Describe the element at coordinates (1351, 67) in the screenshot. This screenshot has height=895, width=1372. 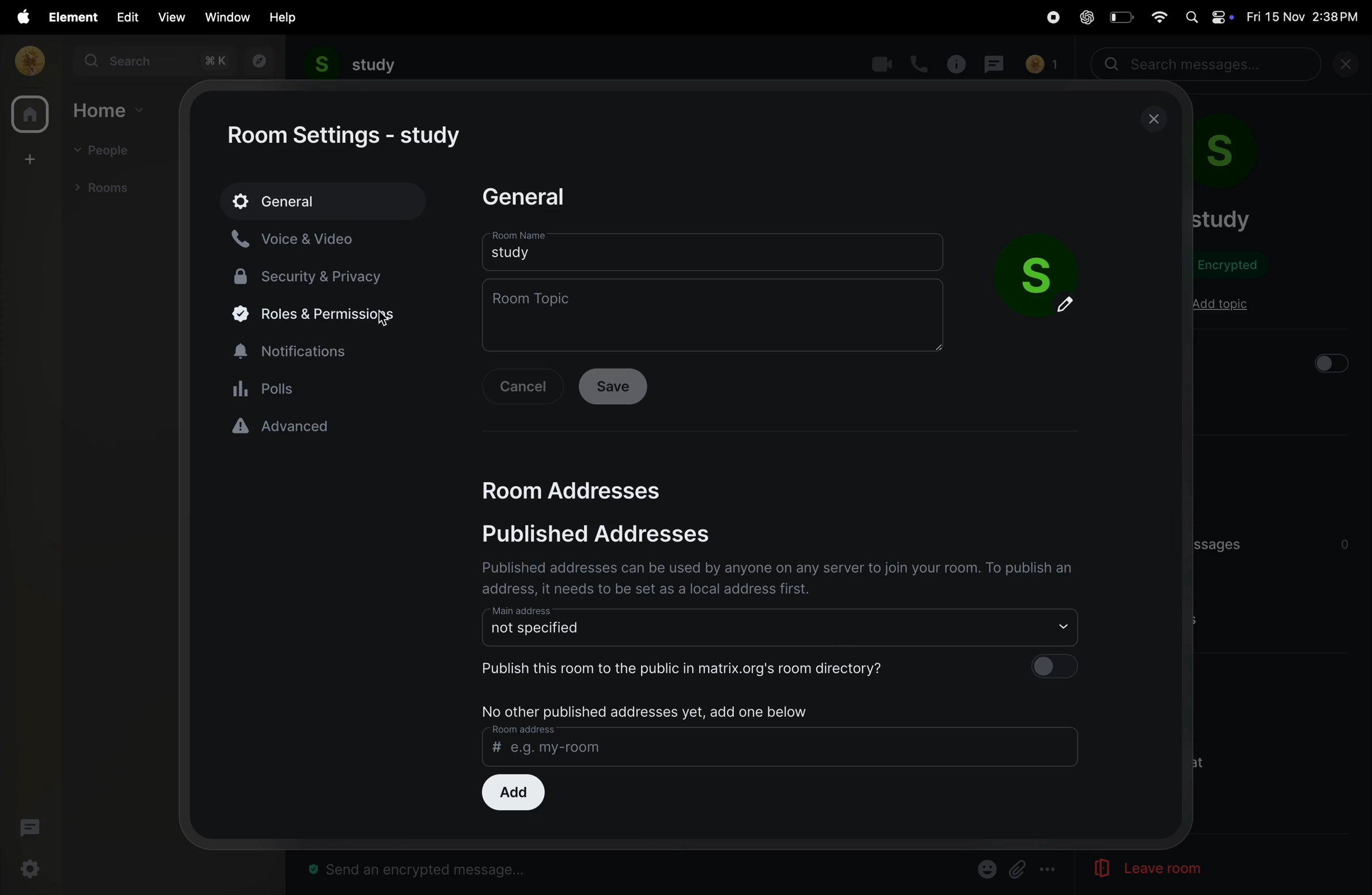
I see `close` at that location.